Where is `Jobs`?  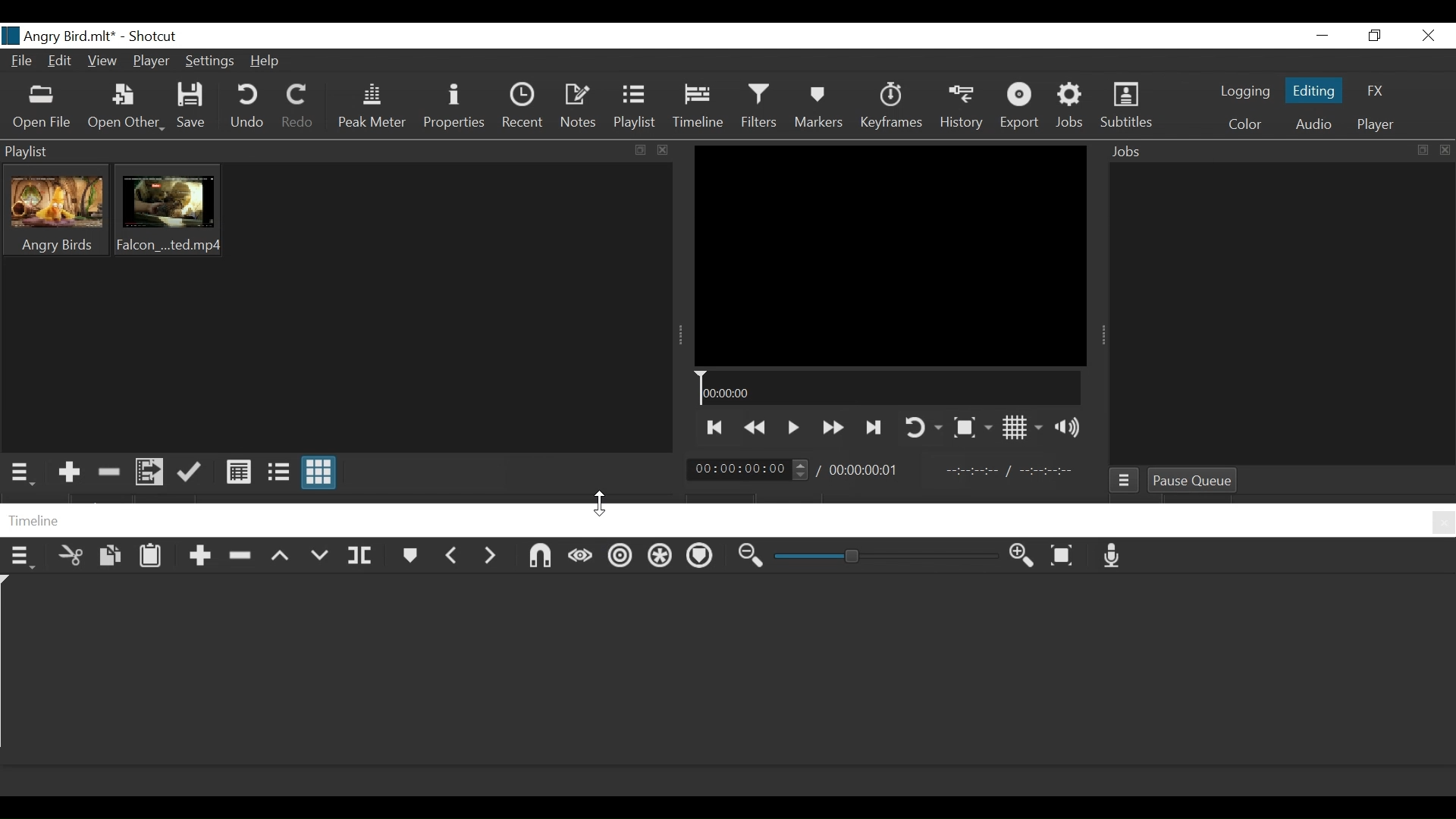 Jobs is located at coordinates (1075, 106).